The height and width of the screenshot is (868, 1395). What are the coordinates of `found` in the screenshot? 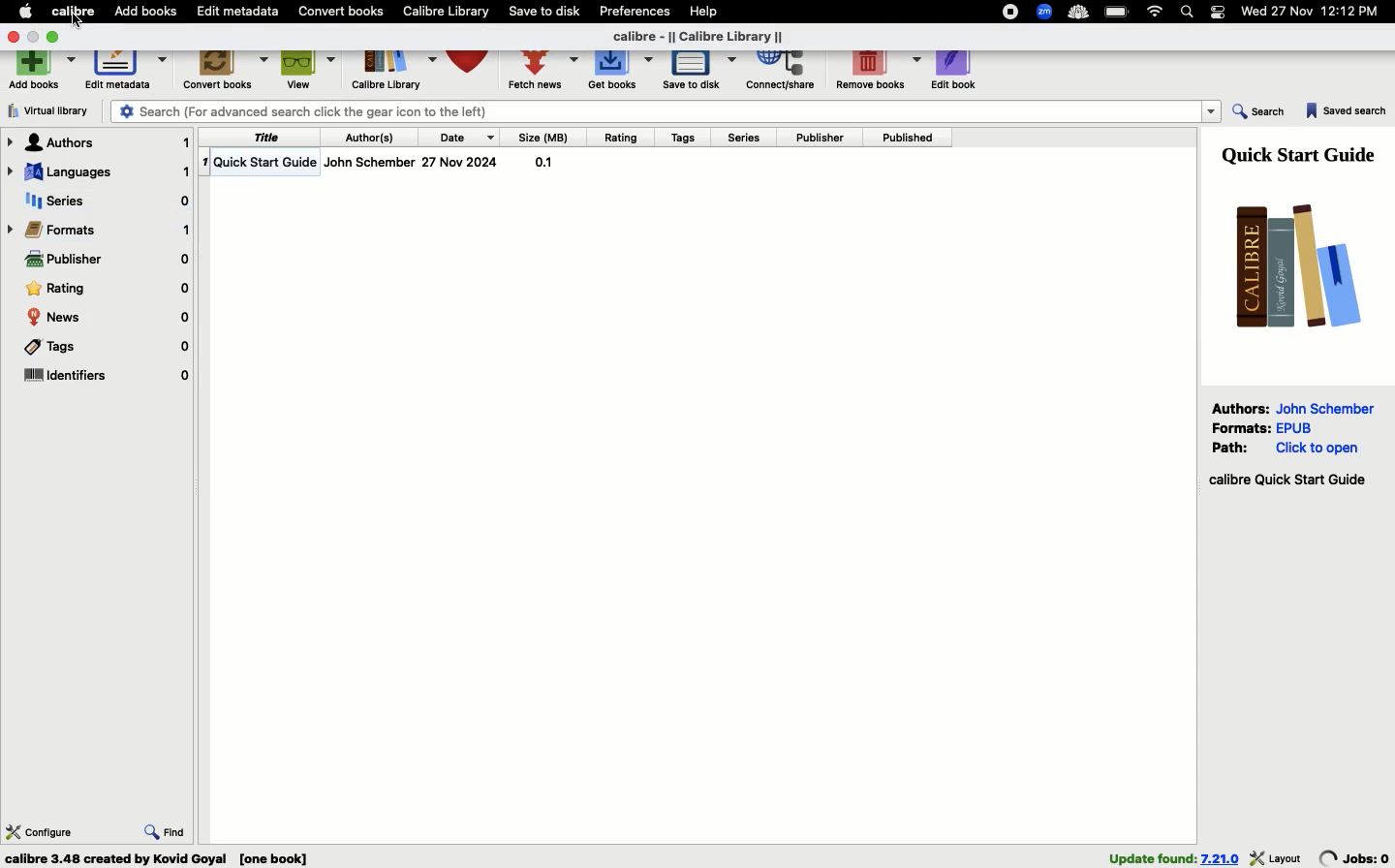 It's located at (1152, 857).